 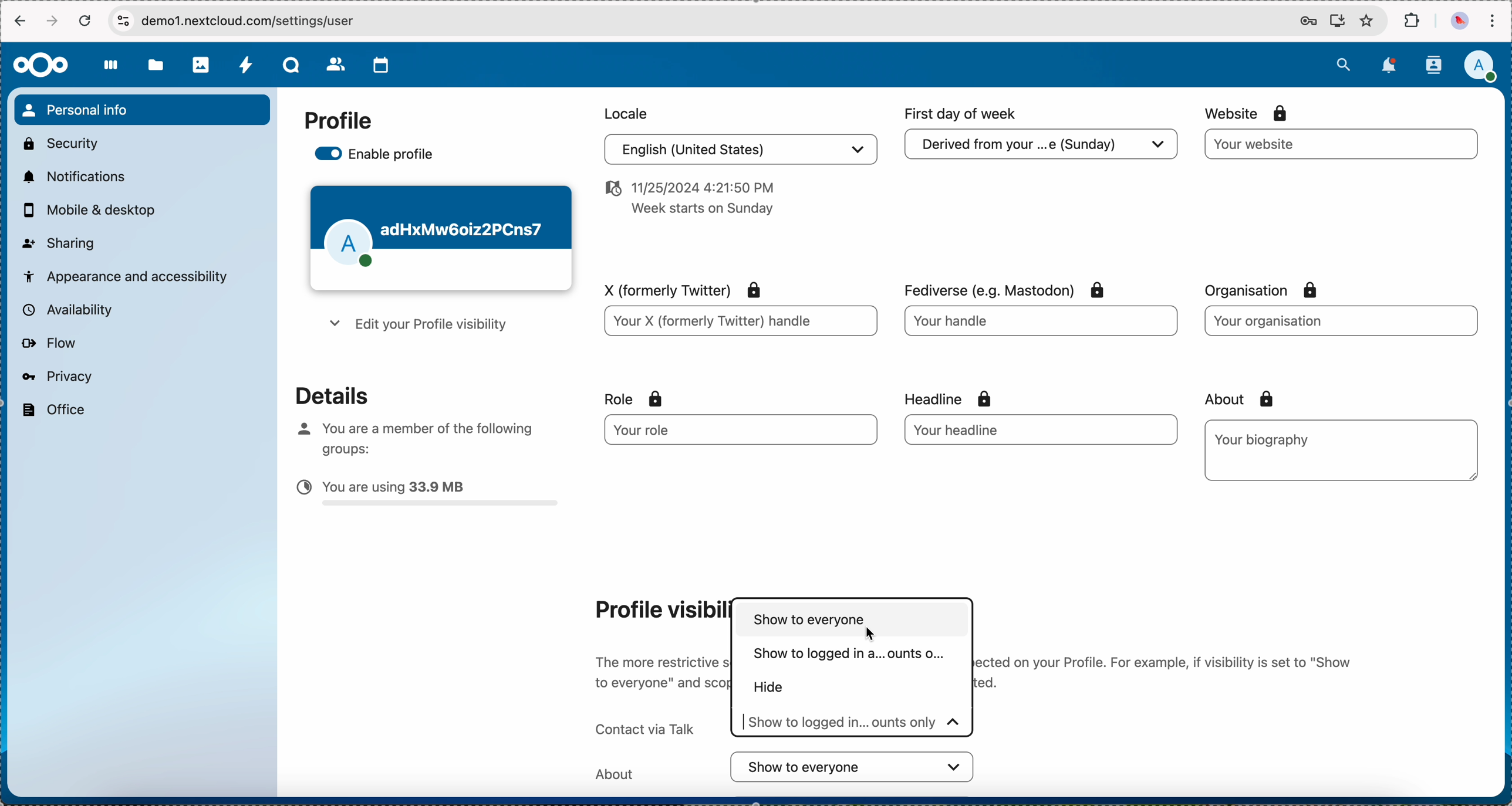 What do you see at coordinates (293, 66) in the screenshot?
I see `Talk` at bounding box center [293, 66].